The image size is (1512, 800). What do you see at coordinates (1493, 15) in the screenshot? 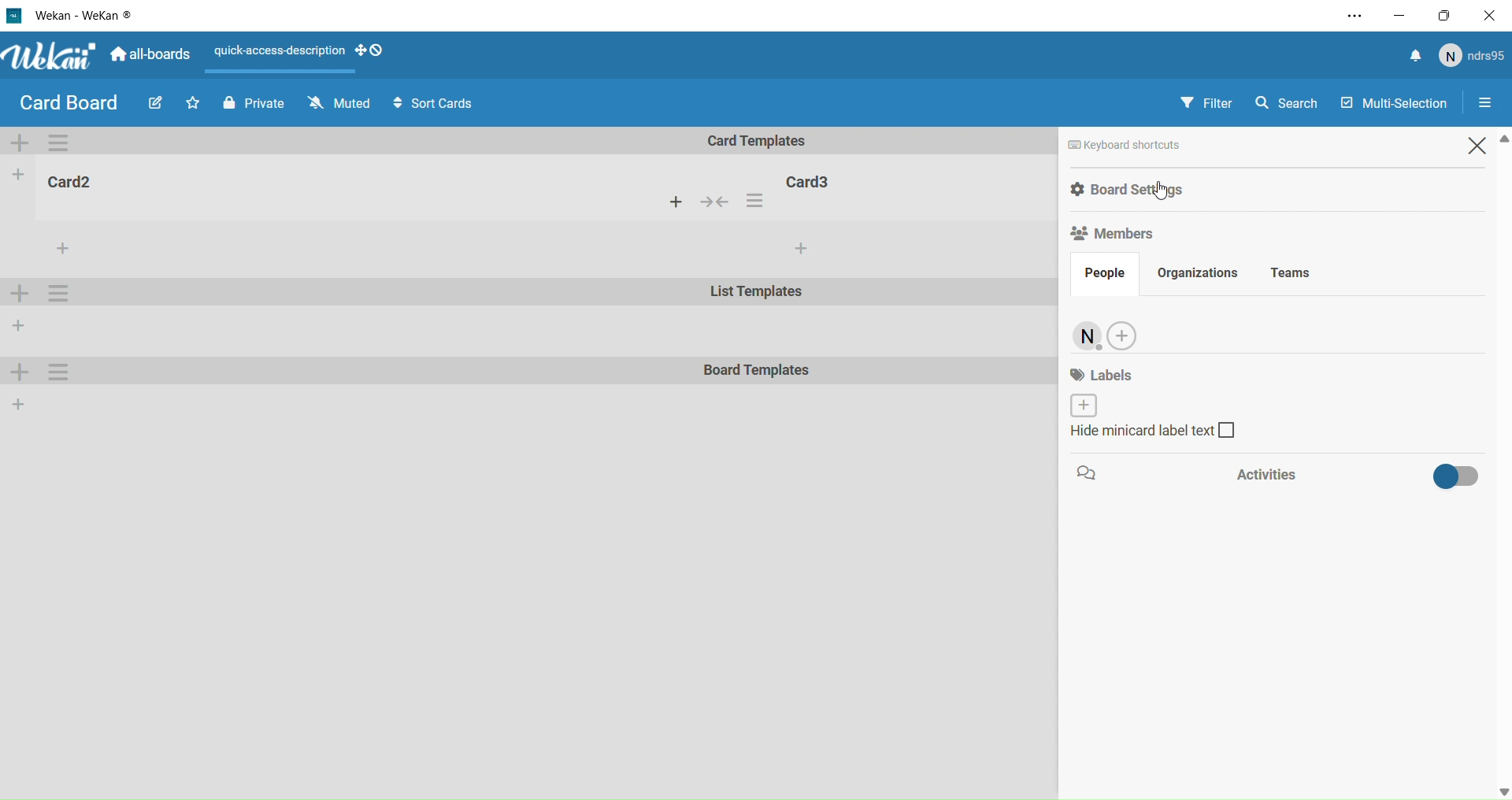
I see `close` at bounding box center [1493, 15].